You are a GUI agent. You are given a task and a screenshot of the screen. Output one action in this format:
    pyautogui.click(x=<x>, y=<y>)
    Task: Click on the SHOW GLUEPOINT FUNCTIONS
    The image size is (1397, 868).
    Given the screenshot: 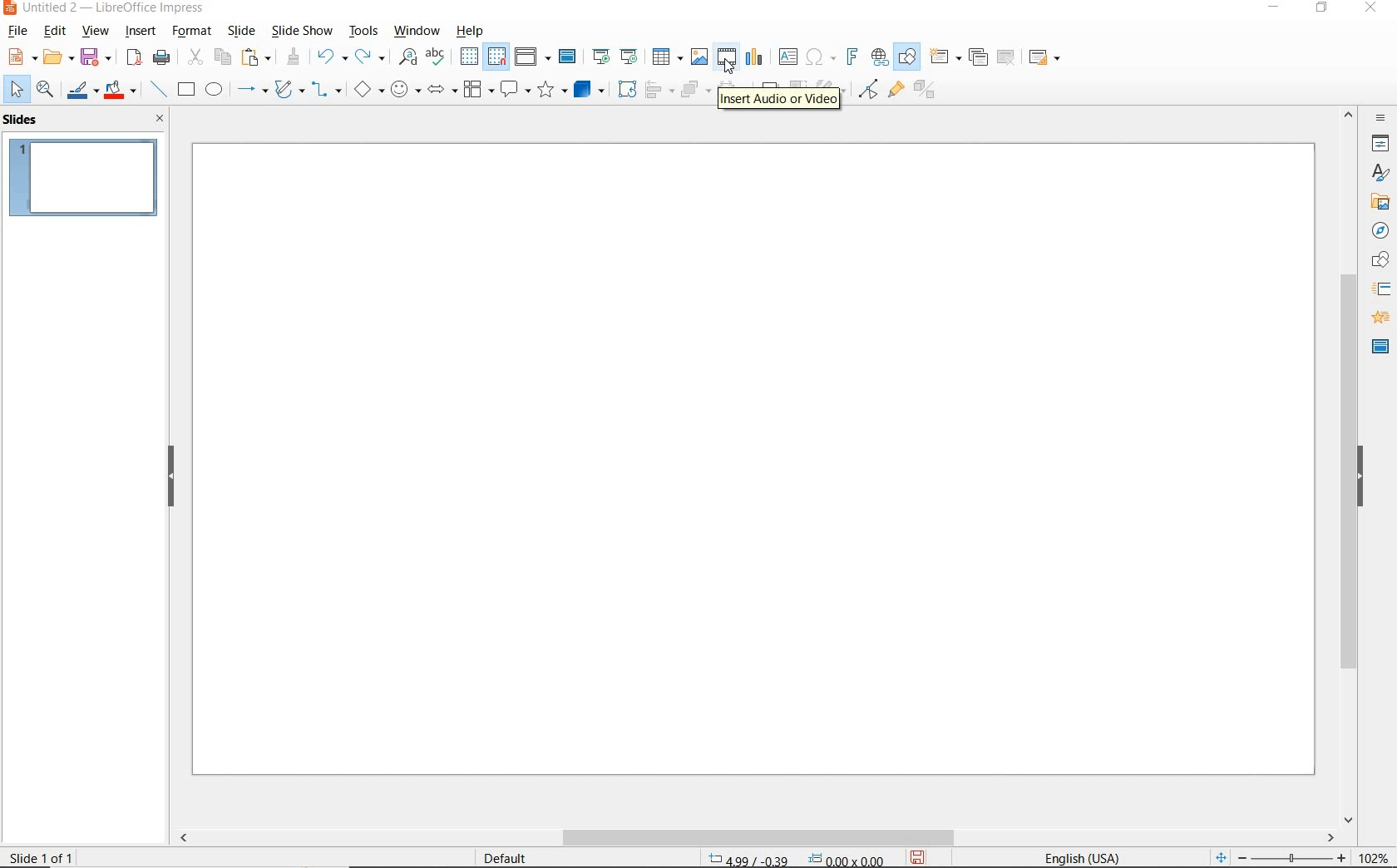 What is the action you would take?
    pyautogui.click(x=895, y=91)
    